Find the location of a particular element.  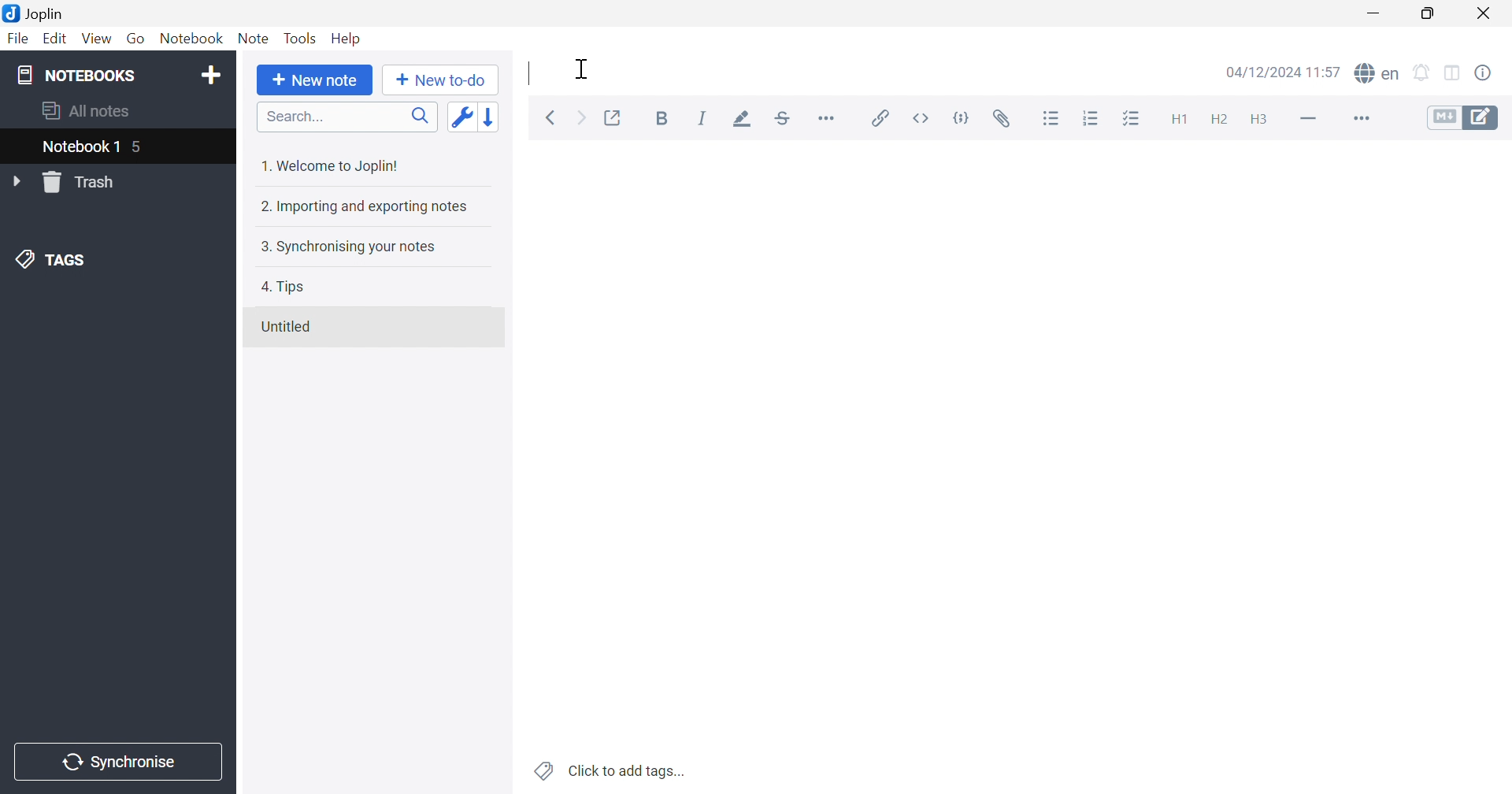

04/12/2024 11:57 is located at coordinates (1282, 72).